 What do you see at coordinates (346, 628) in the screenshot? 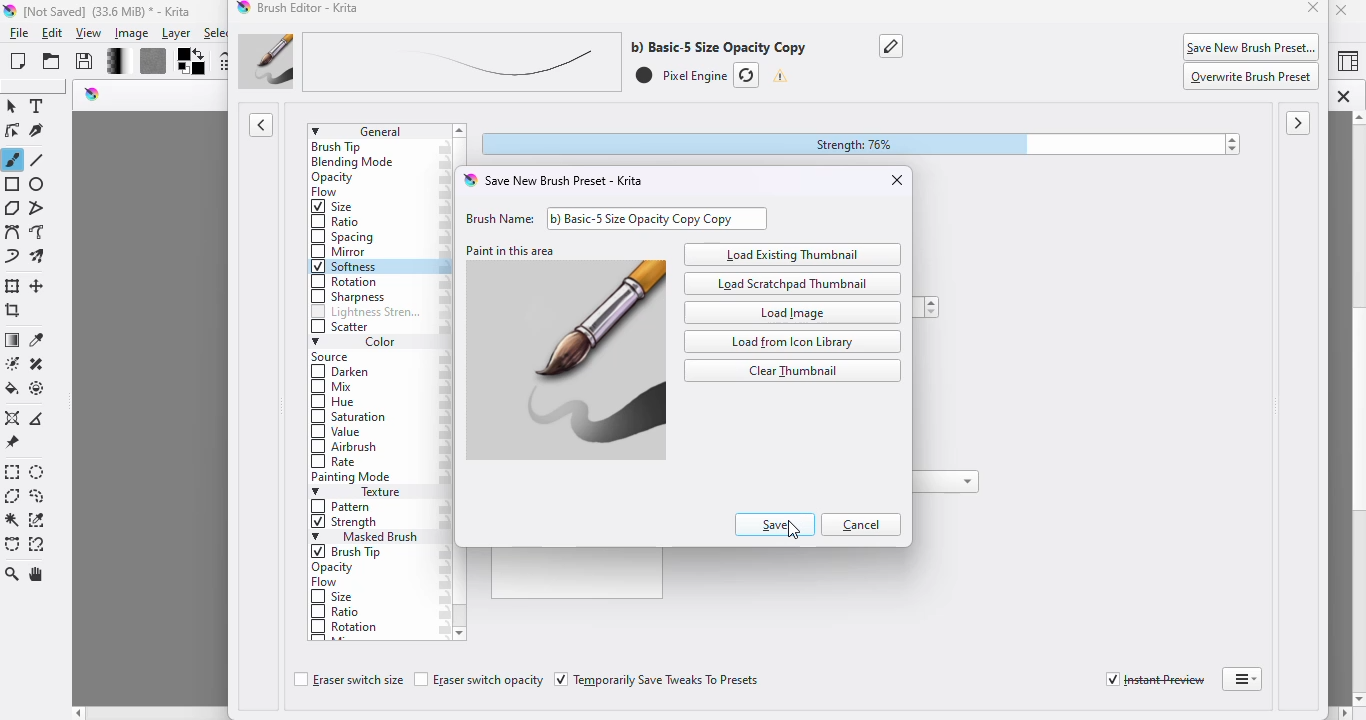
I see `rotation` at bounding box center [346, 628].